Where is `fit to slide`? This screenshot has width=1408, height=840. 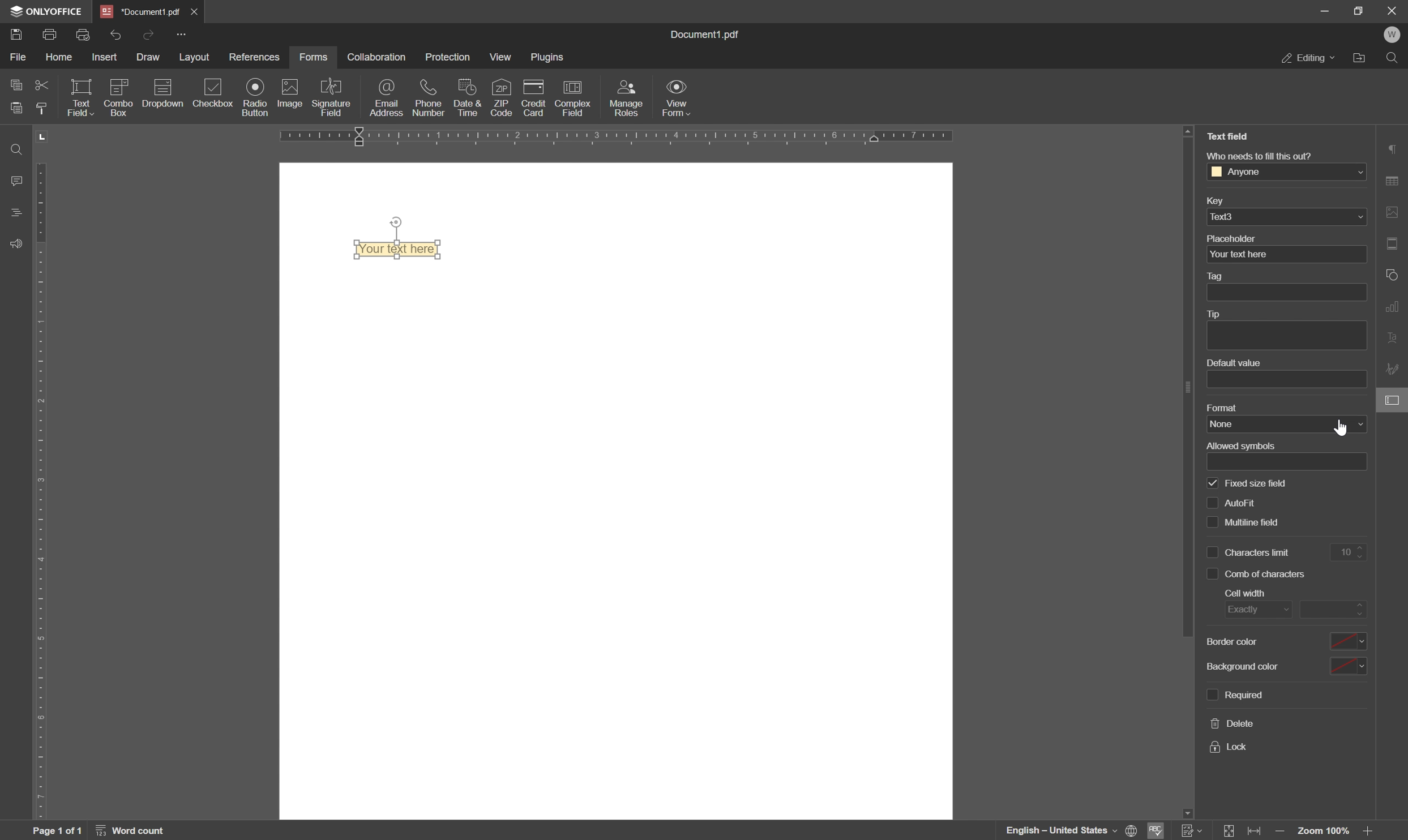 fit to slide is located at coordinates (1230, 831).